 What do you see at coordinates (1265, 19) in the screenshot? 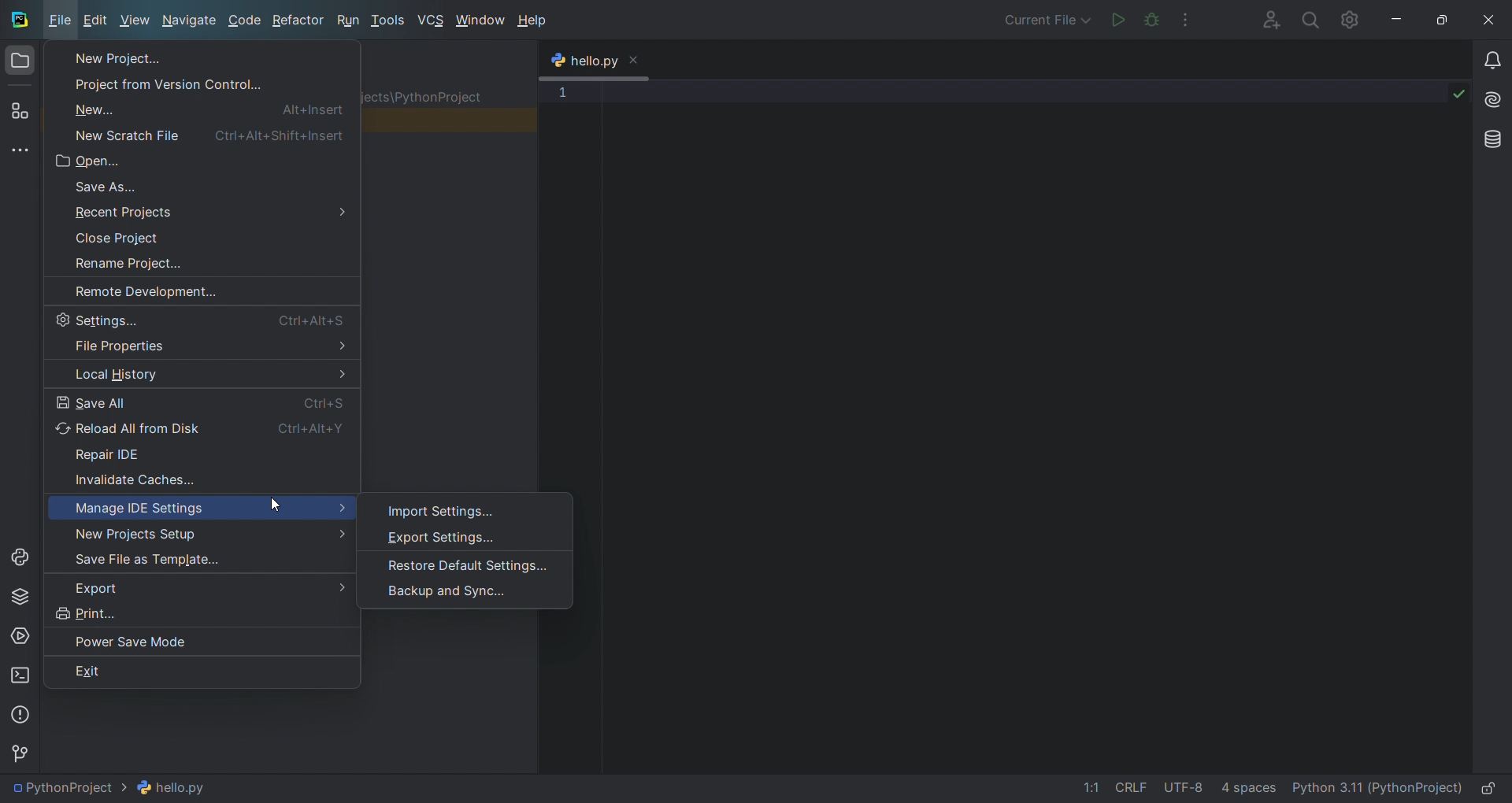
I see `collab` at bounding box center [1265, 19].